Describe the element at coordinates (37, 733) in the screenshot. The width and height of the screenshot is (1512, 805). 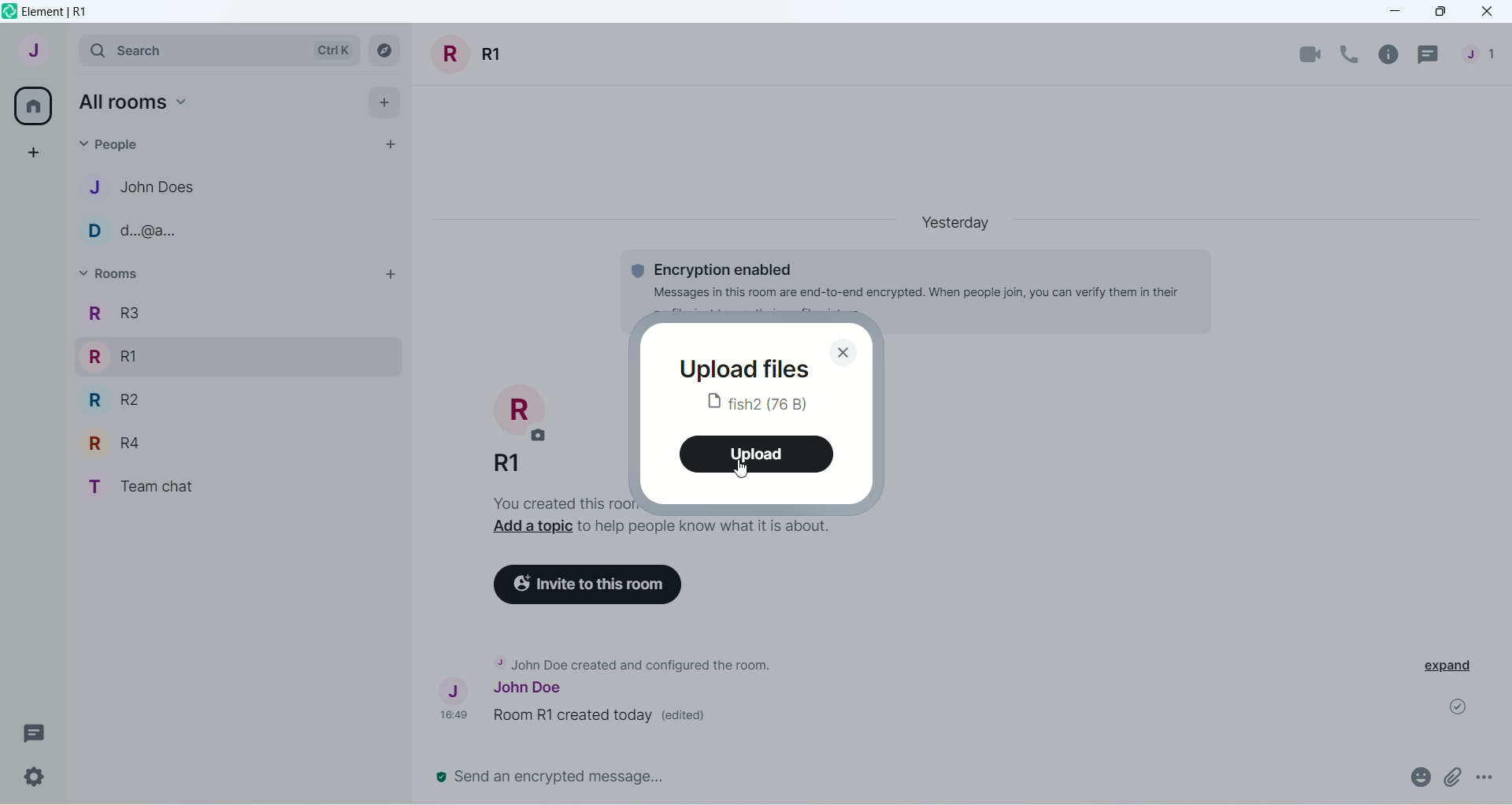
I see `Message` at that location.